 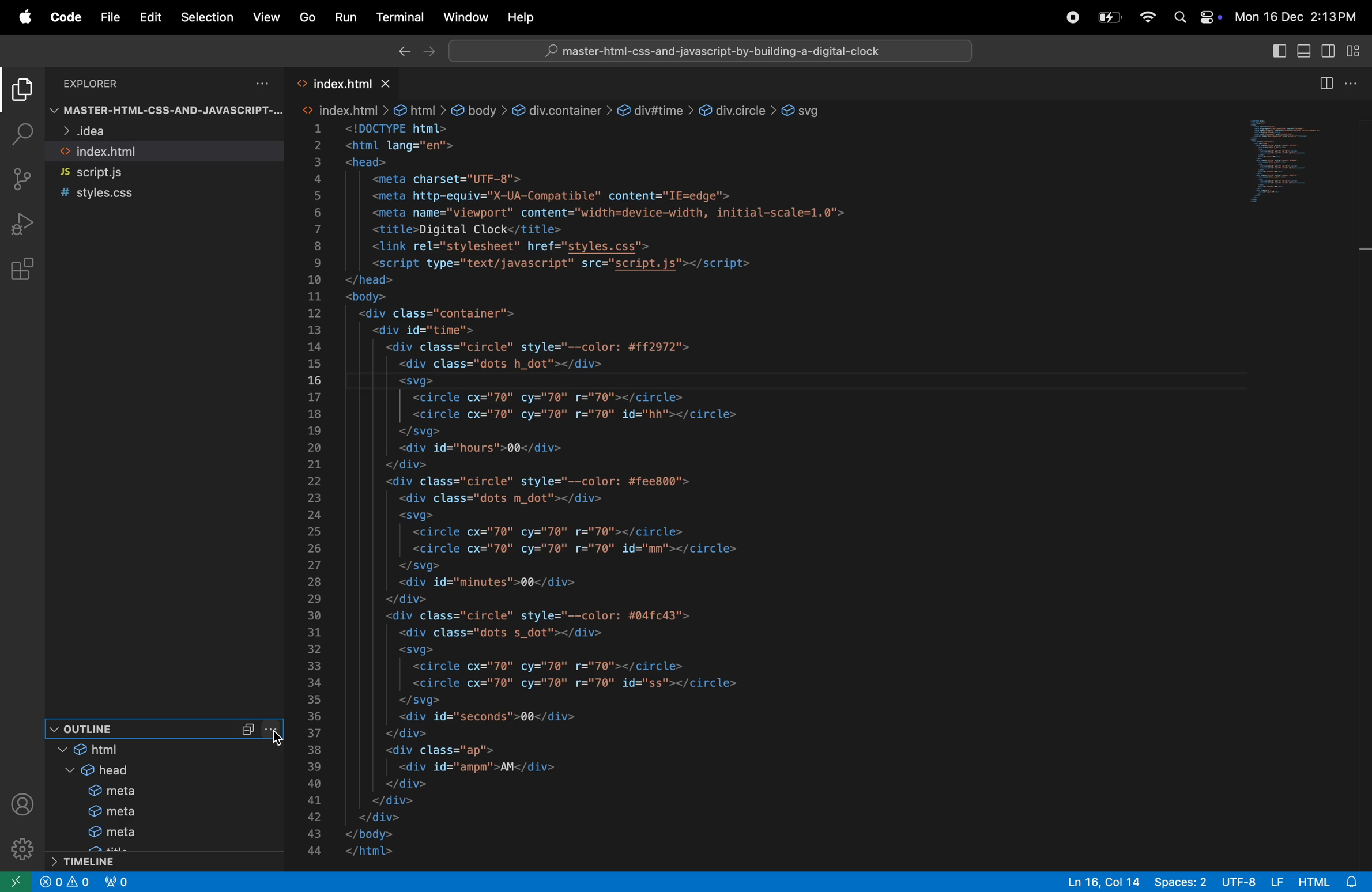 What do you see at coordinates (1208, 17) in the screenshot?
I see `apple widgets` at bounding box center [1208, 17].